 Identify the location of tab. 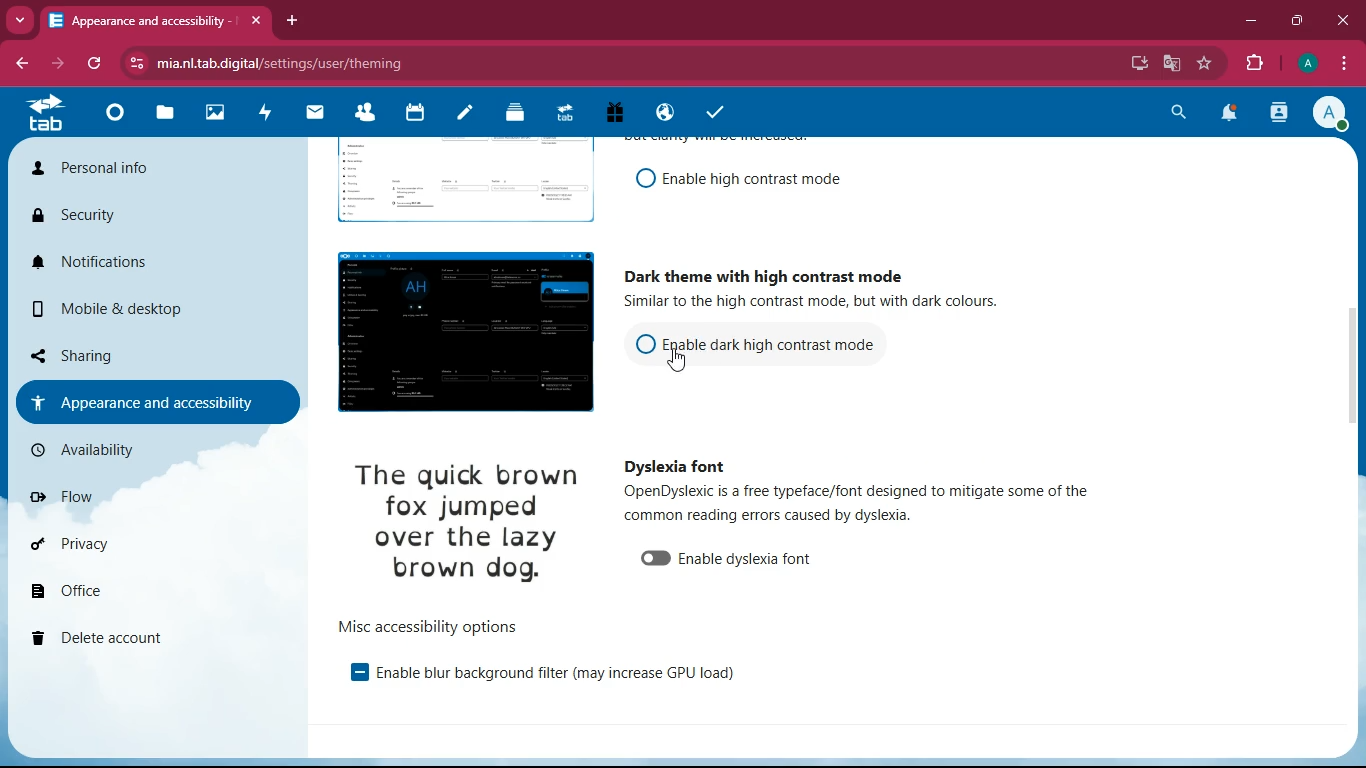
(141, 20).